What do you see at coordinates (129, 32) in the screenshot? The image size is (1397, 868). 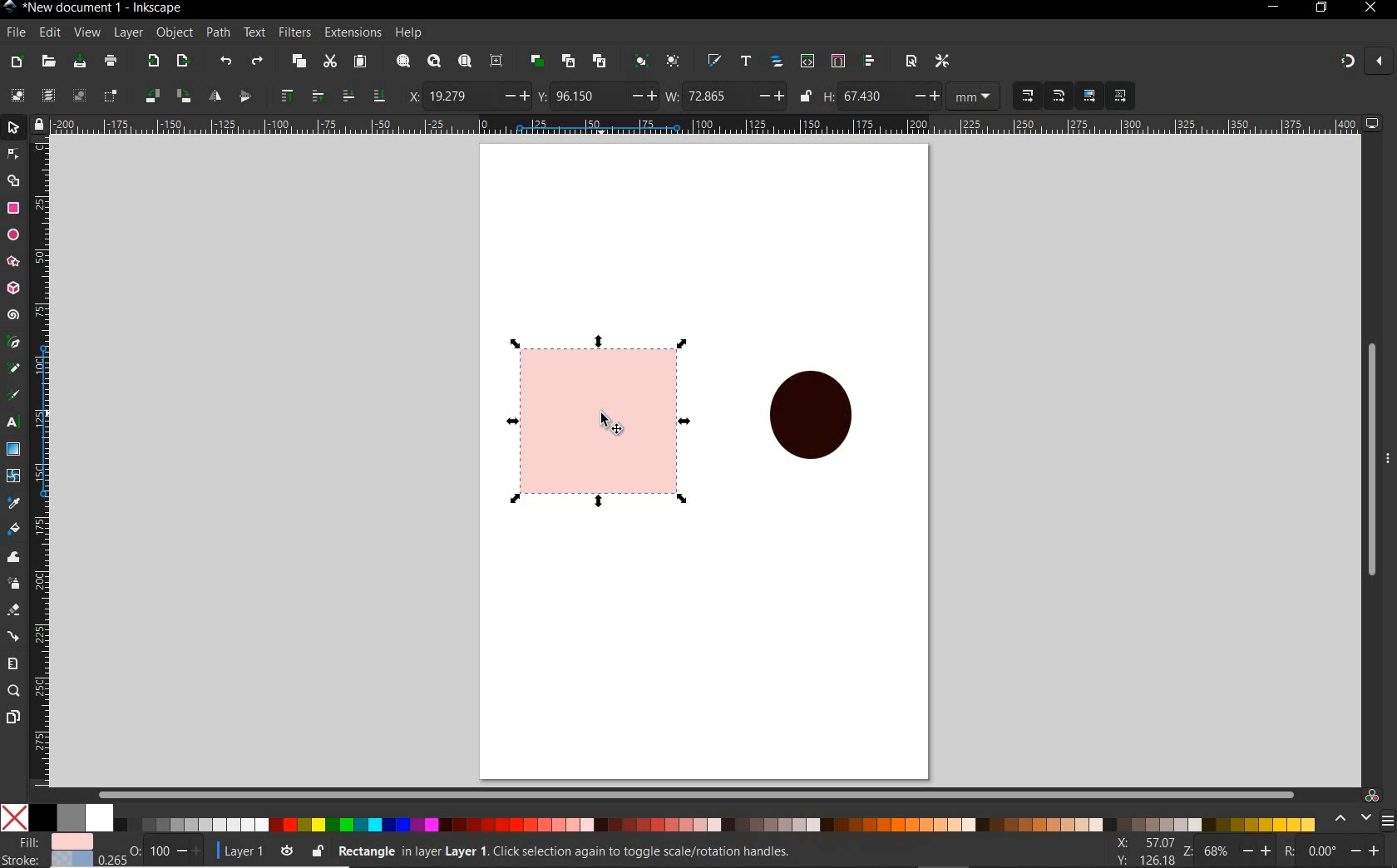 I see `layer` at bounding box center [129, 32].